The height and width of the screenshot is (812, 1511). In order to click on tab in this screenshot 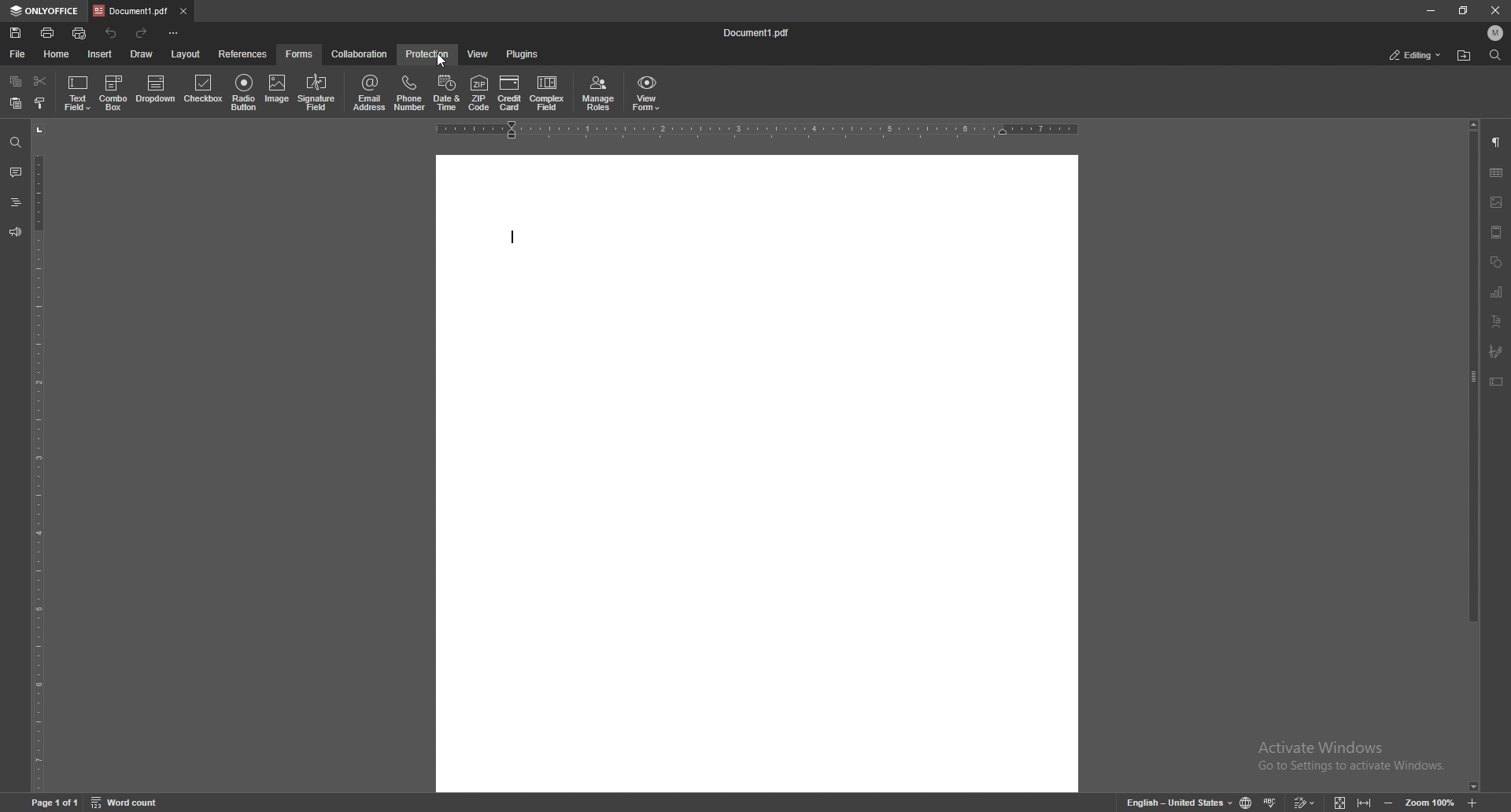, I will do `click(131, 12)`.